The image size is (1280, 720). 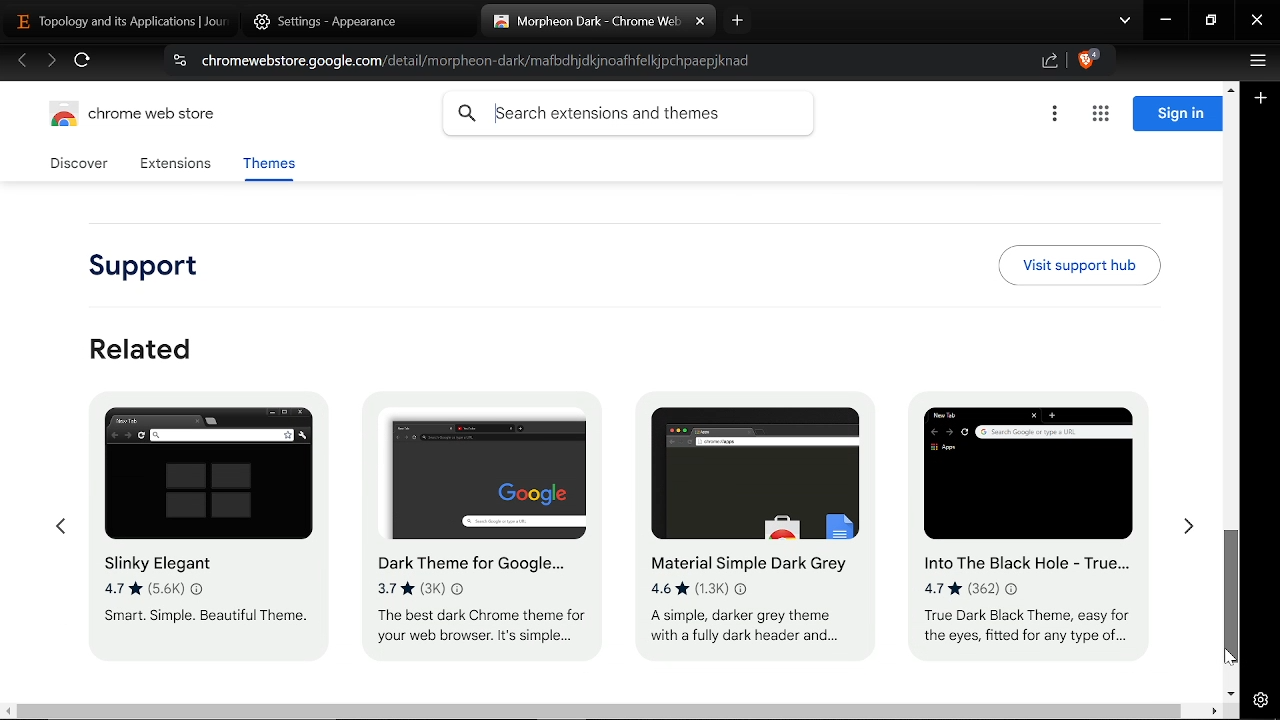 I want to click on Settings tab, so click(x=342, y=21).